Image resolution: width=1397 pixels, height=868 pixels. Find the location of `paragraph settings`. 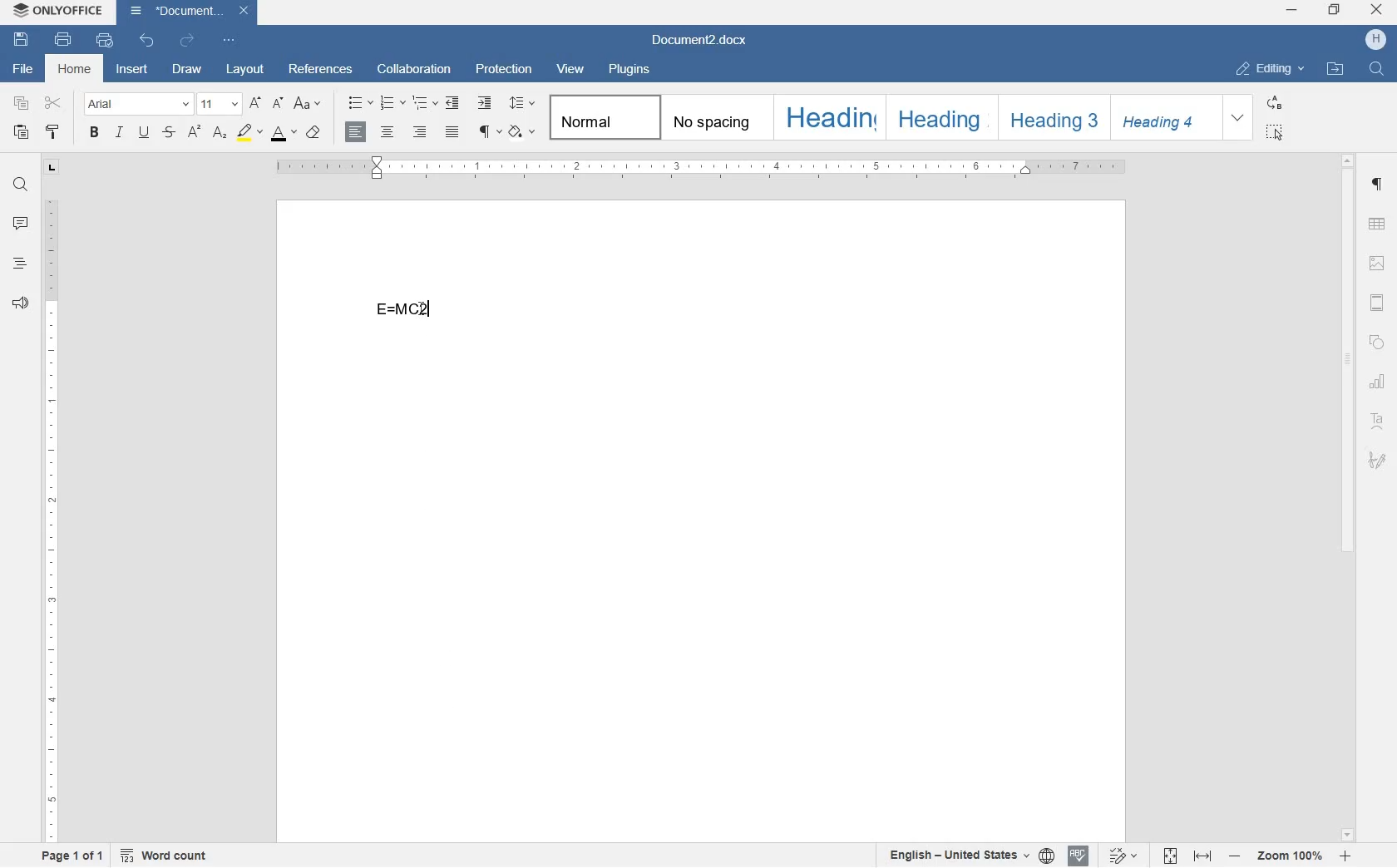

paragraph settings is located at coordinates (1380, 185).